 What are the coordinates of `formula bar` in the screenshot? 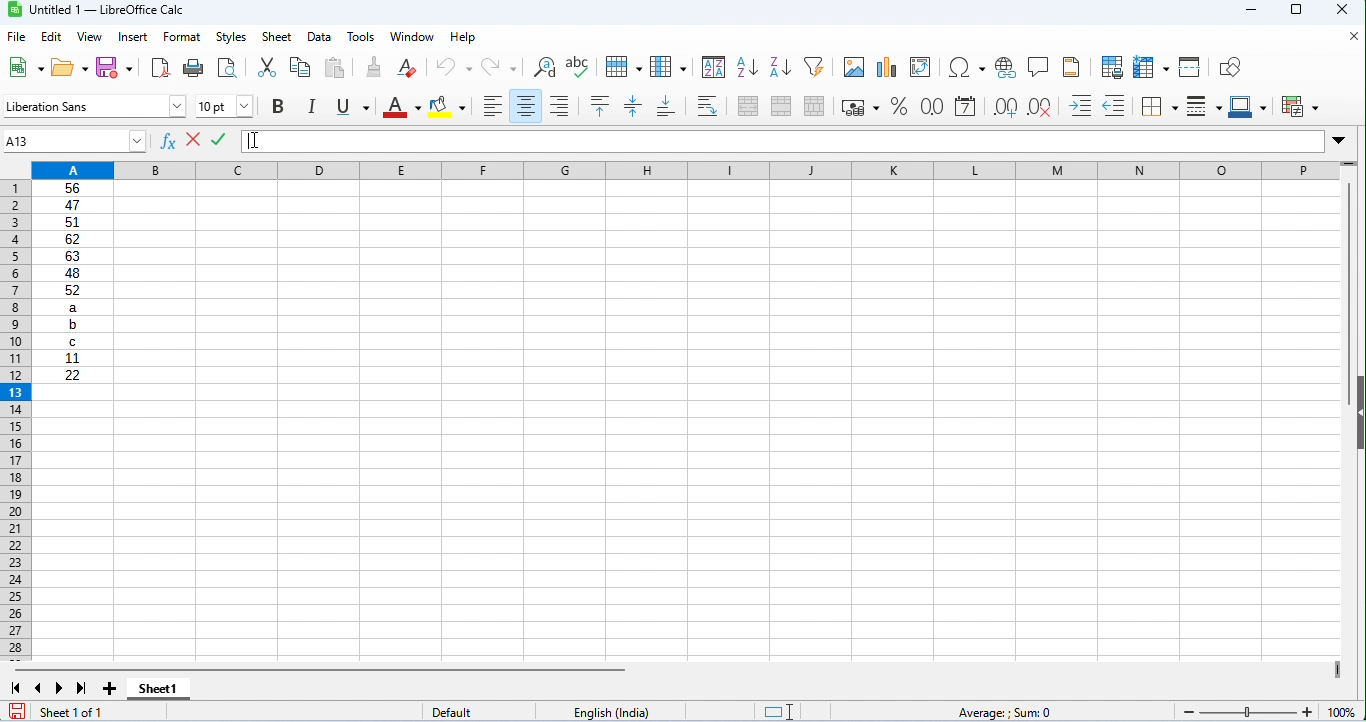 It's located at (795, 141).